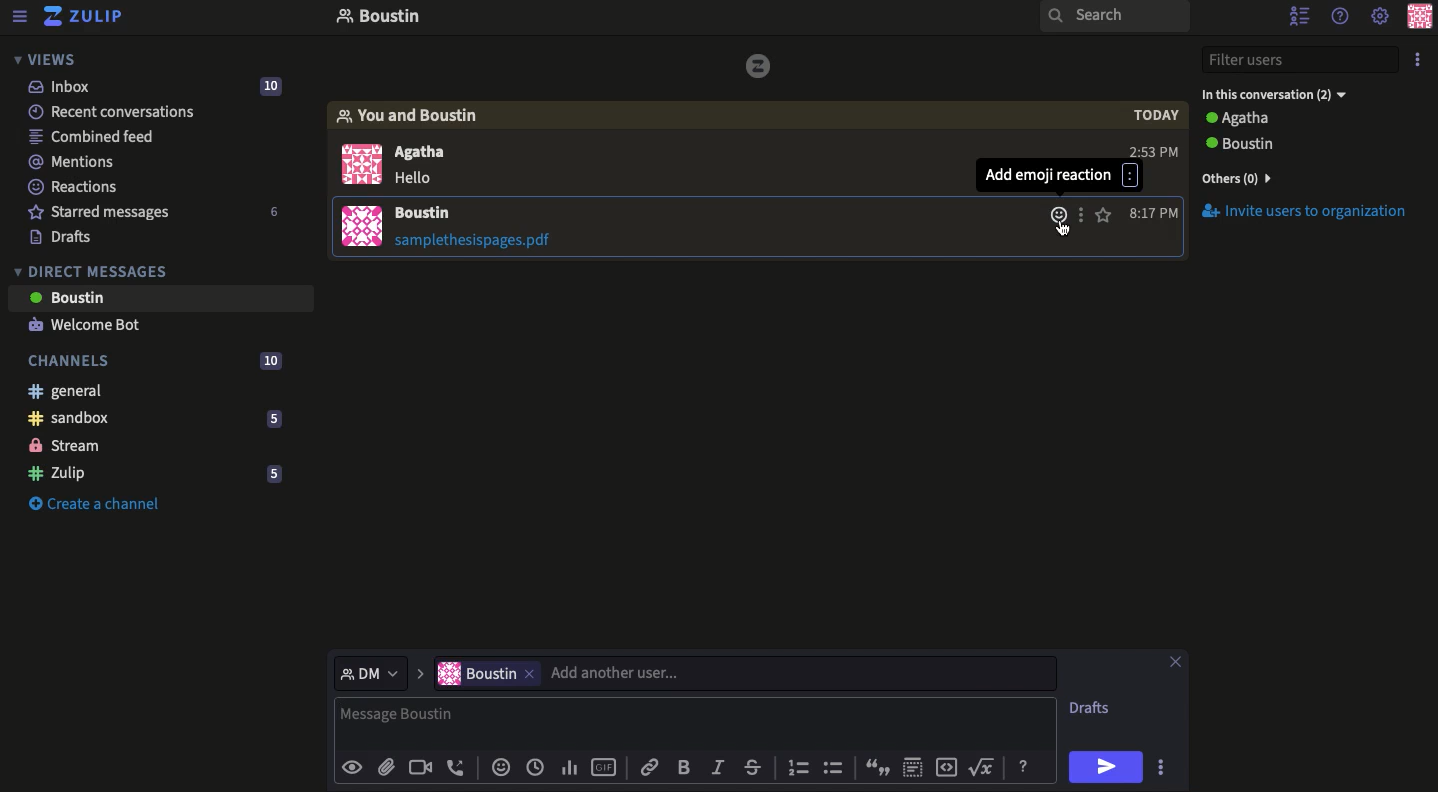 The height and width of the screenshot is (792, 1438). Describe the element at coordinates (797, 766) in the screenshot. I see `Numbered list` at that location.